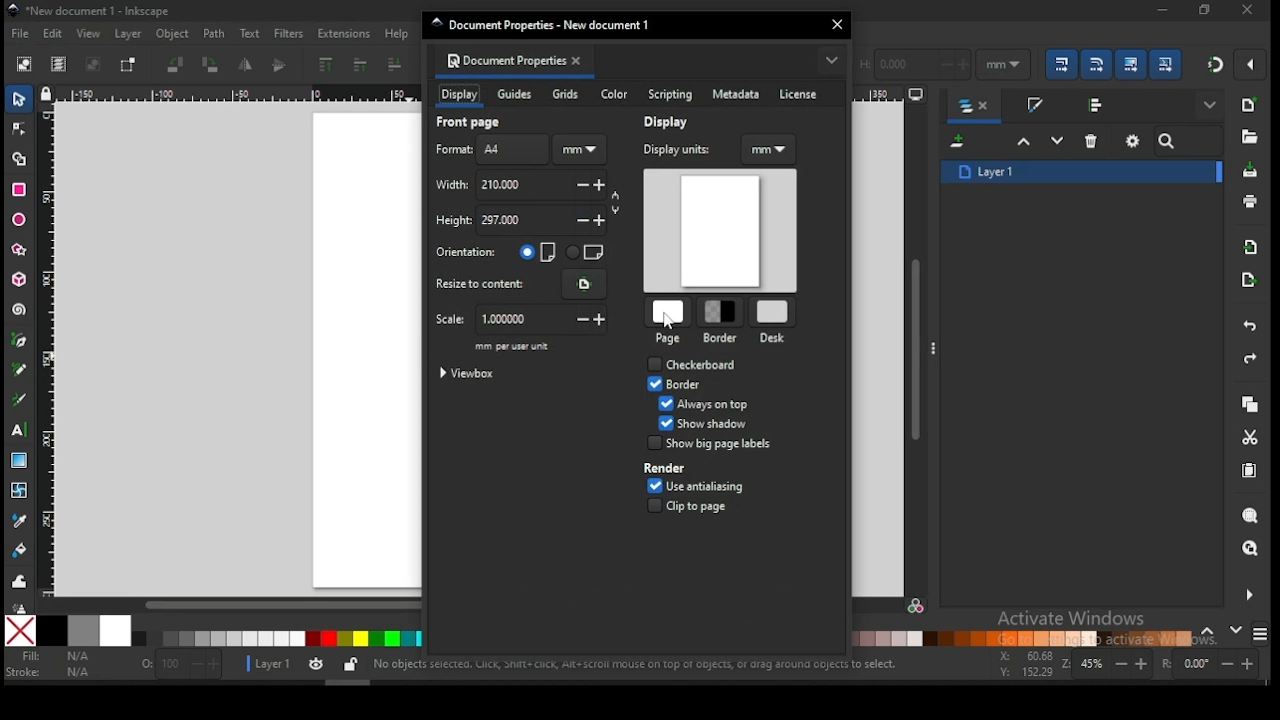  Describe the element at coordinates (179, 667) in the screenshot. I see `opacity` at that location.